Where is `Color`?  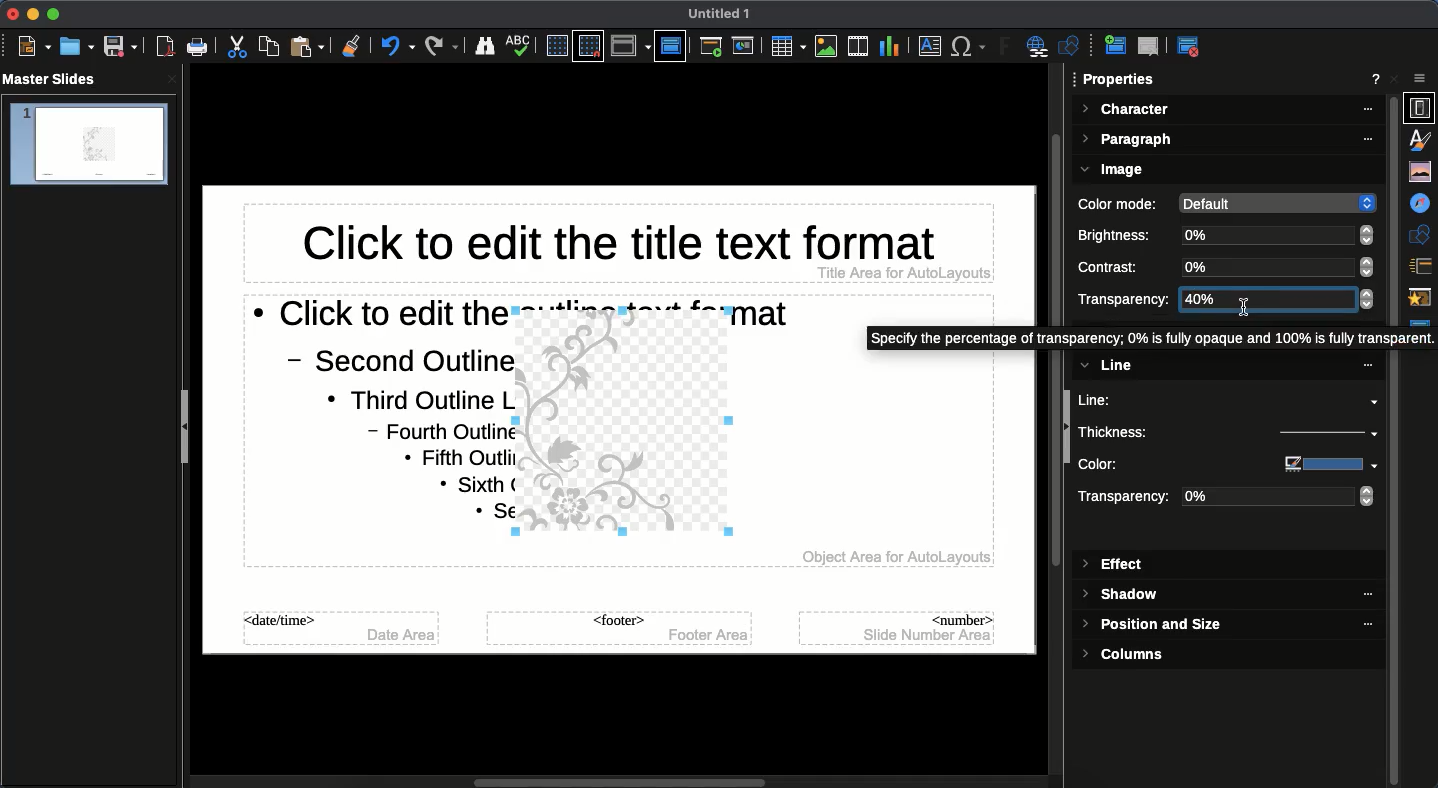
Color is located at coordinates (1157, 465).